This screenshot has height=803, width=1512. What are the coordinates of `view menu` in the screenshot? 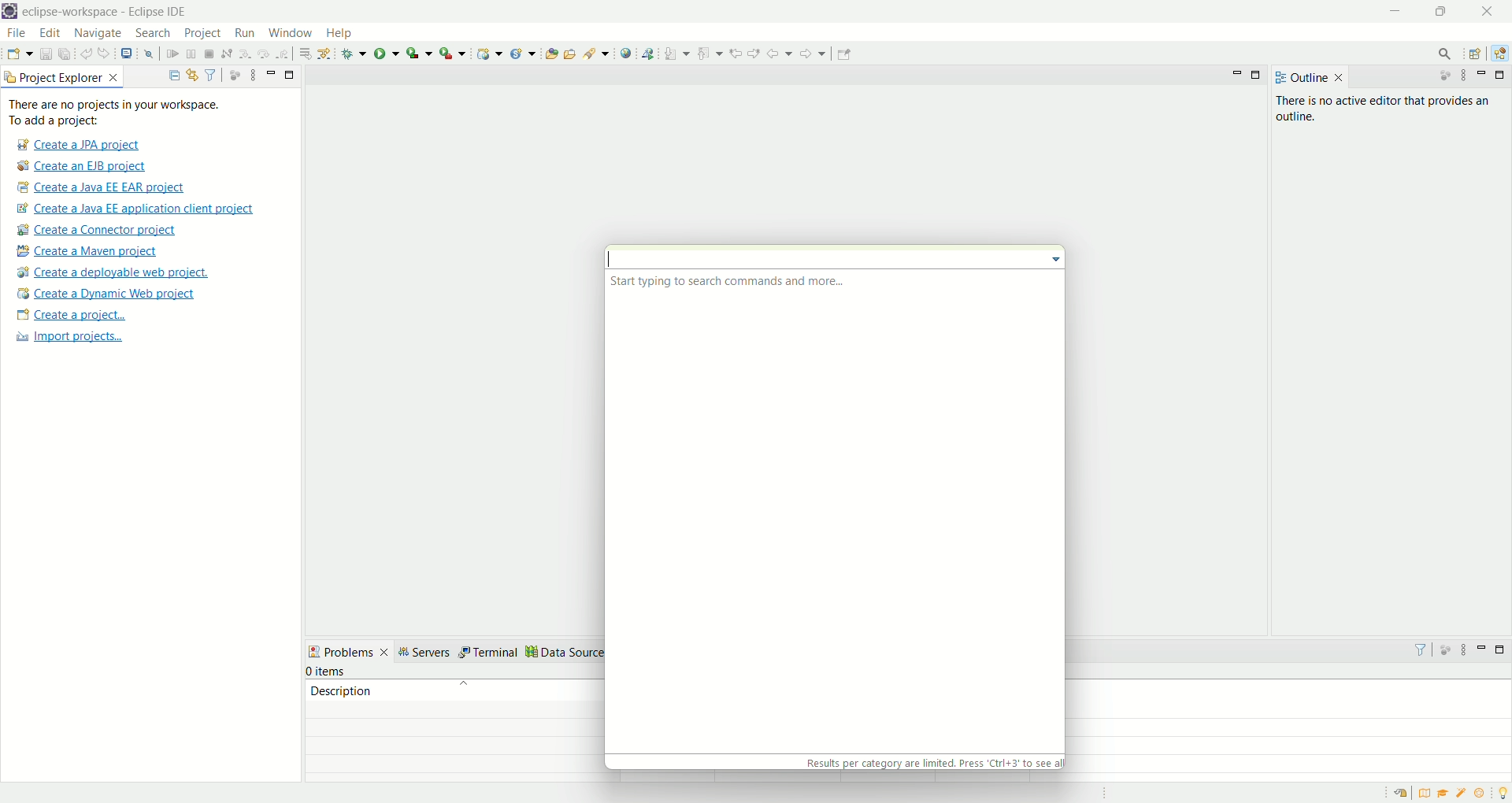 It's located at (1462, 76).